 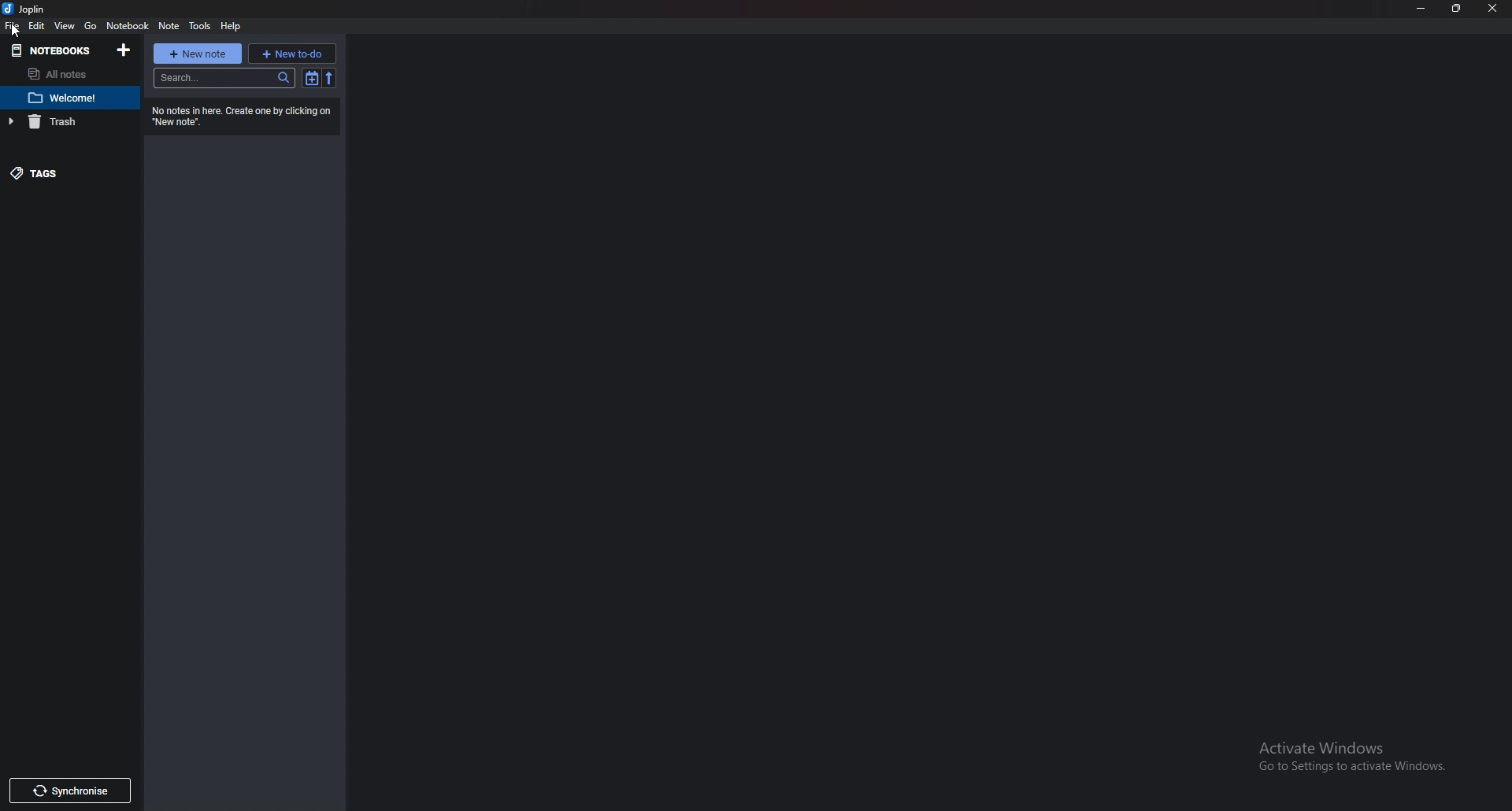 I want to click on Synchronize, so click(x=72, y=791).